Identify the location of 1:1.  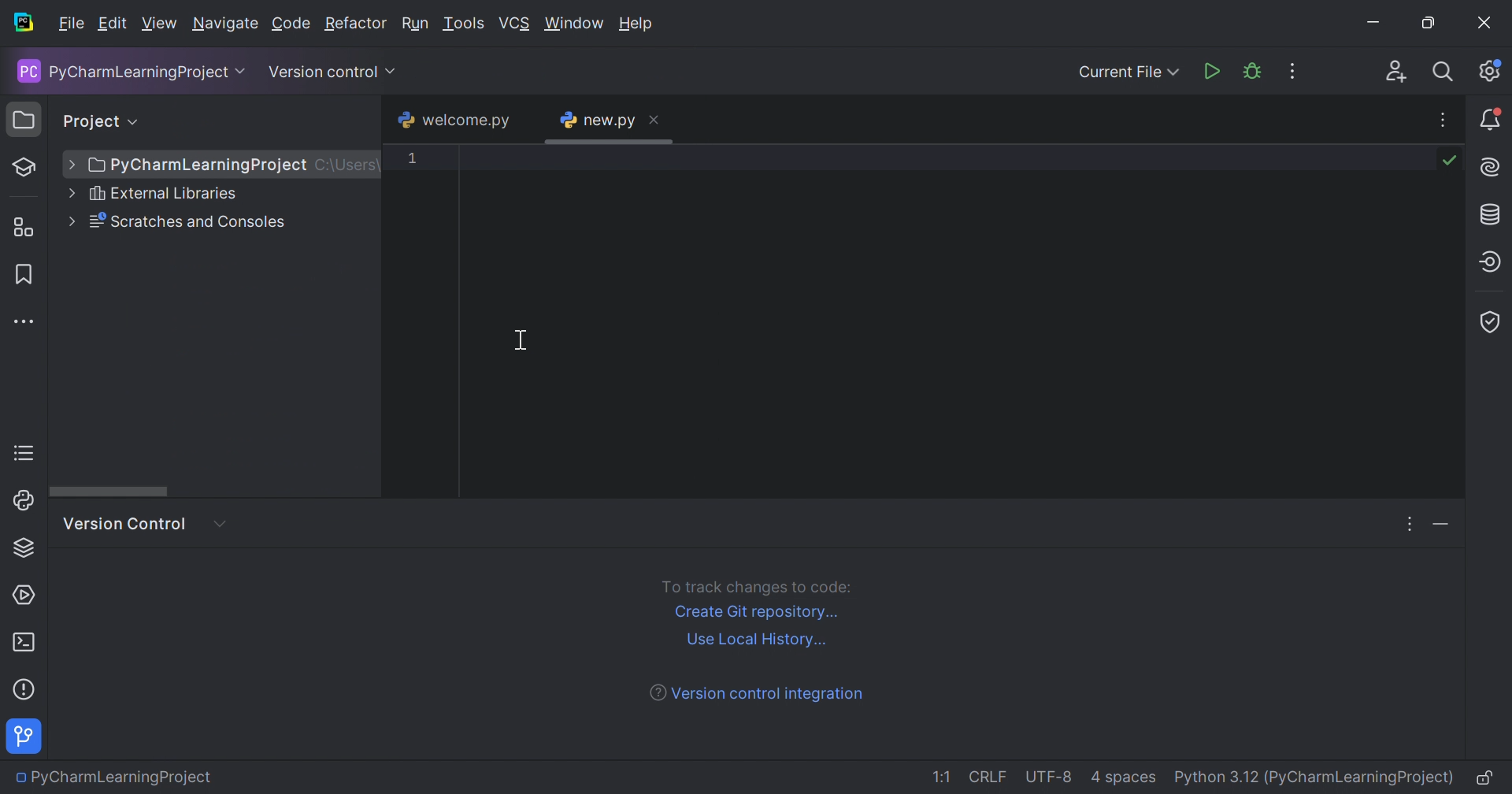
(939, 777).